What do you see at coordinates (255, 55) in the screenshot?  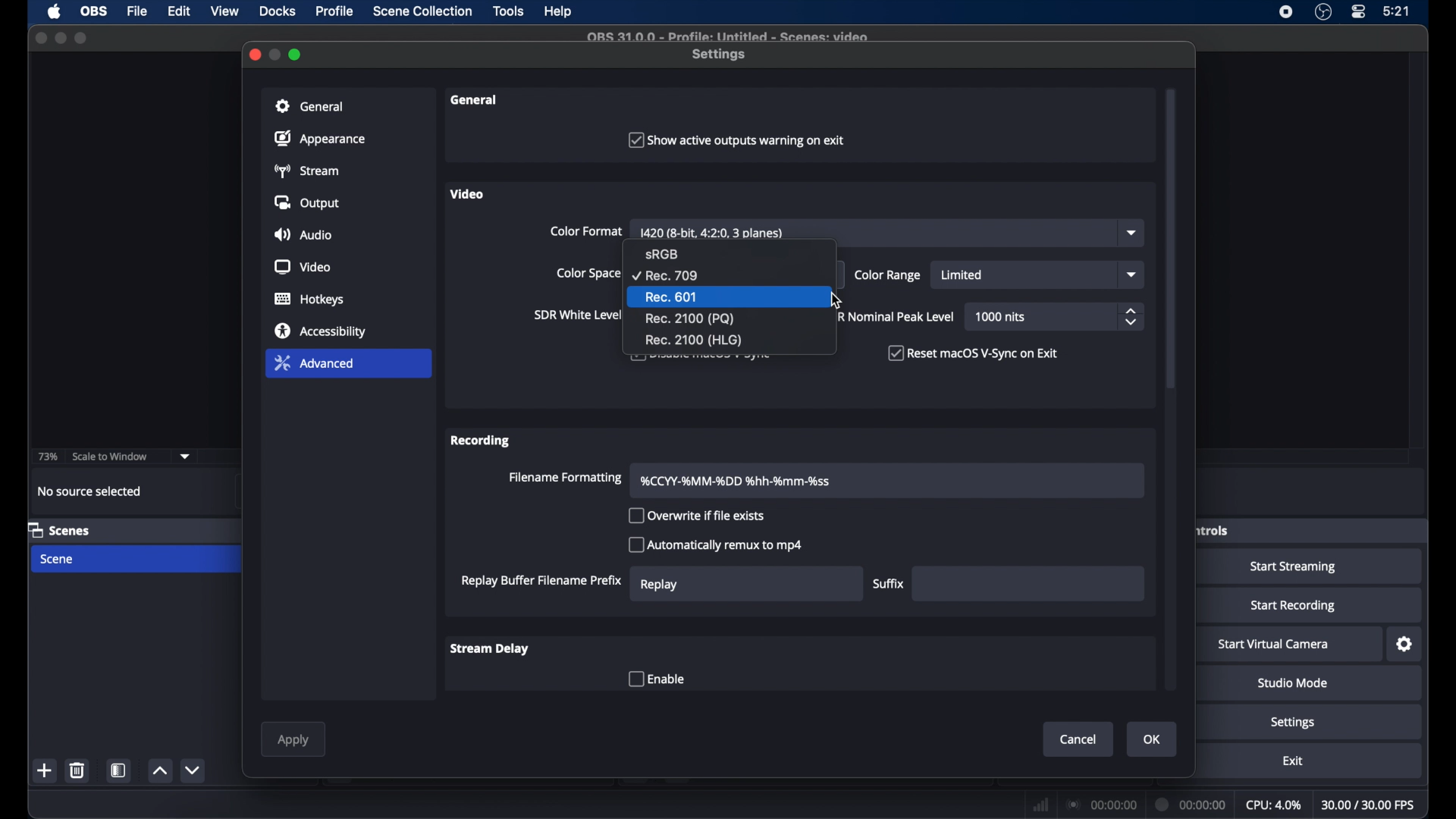 I see `close` at bounding box center [255, 55].